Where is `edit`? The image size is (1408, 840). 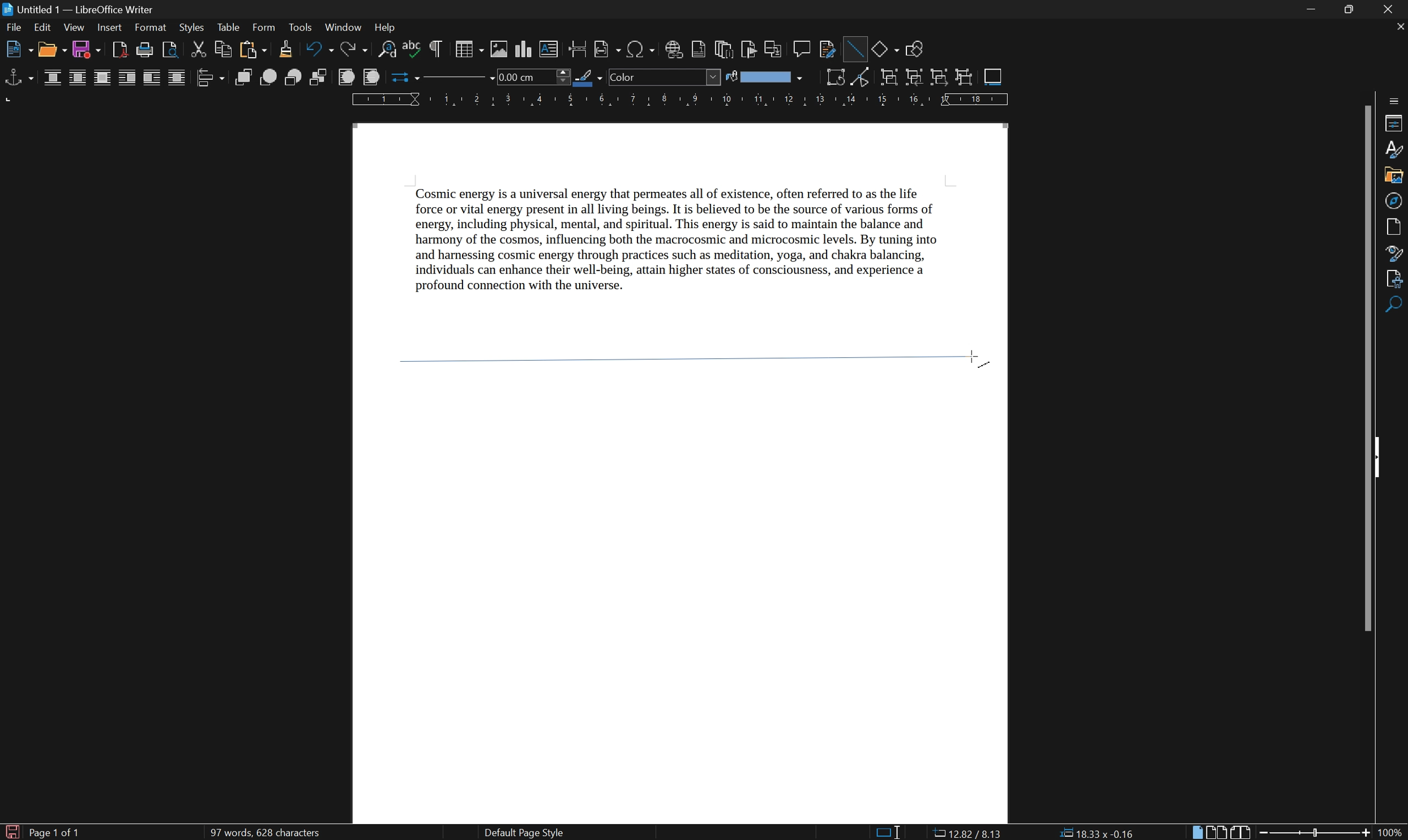 edit is located at coordinates (43, 29).